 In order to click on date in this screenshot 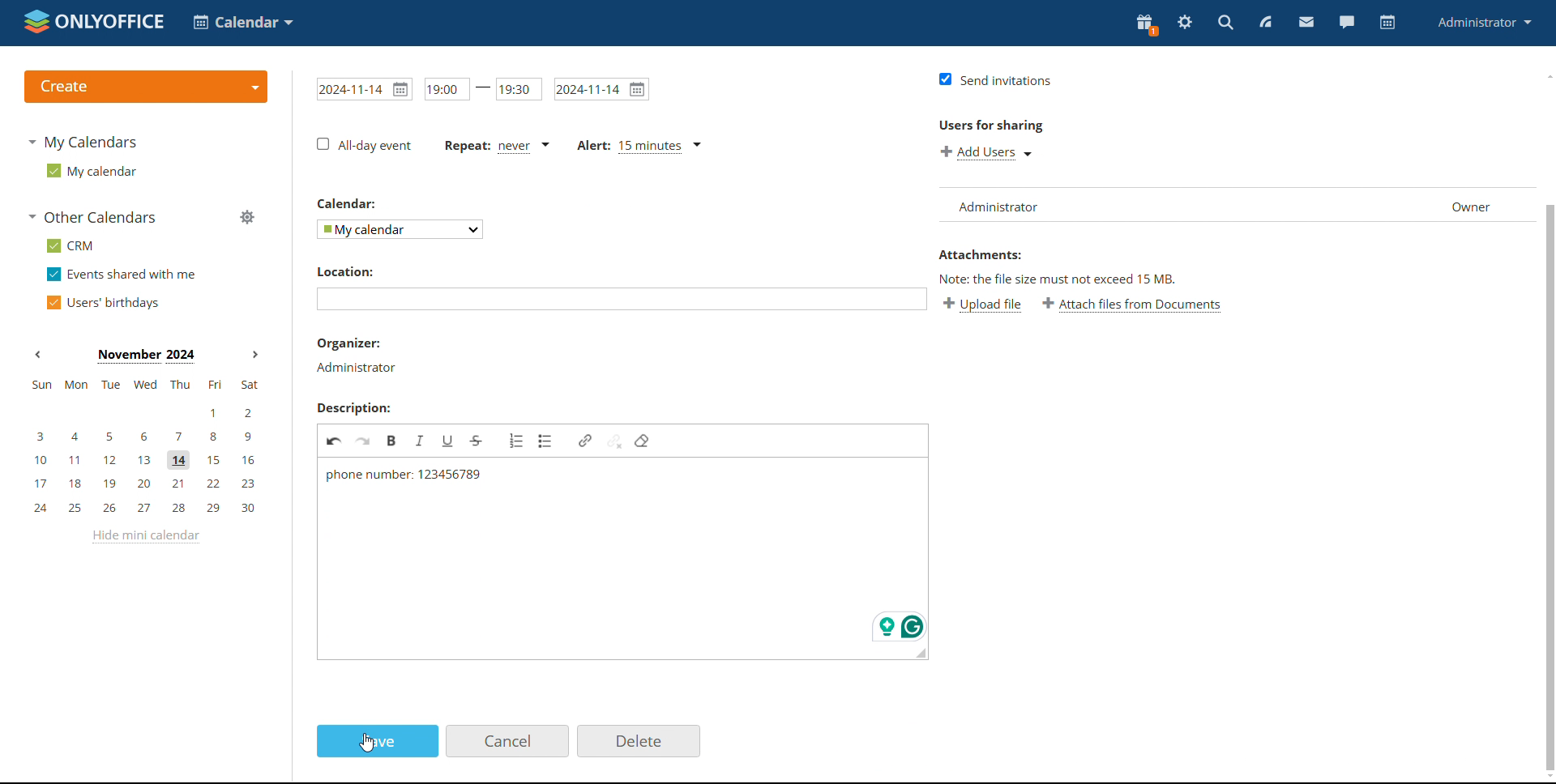, I will do `click(601, 89)`.